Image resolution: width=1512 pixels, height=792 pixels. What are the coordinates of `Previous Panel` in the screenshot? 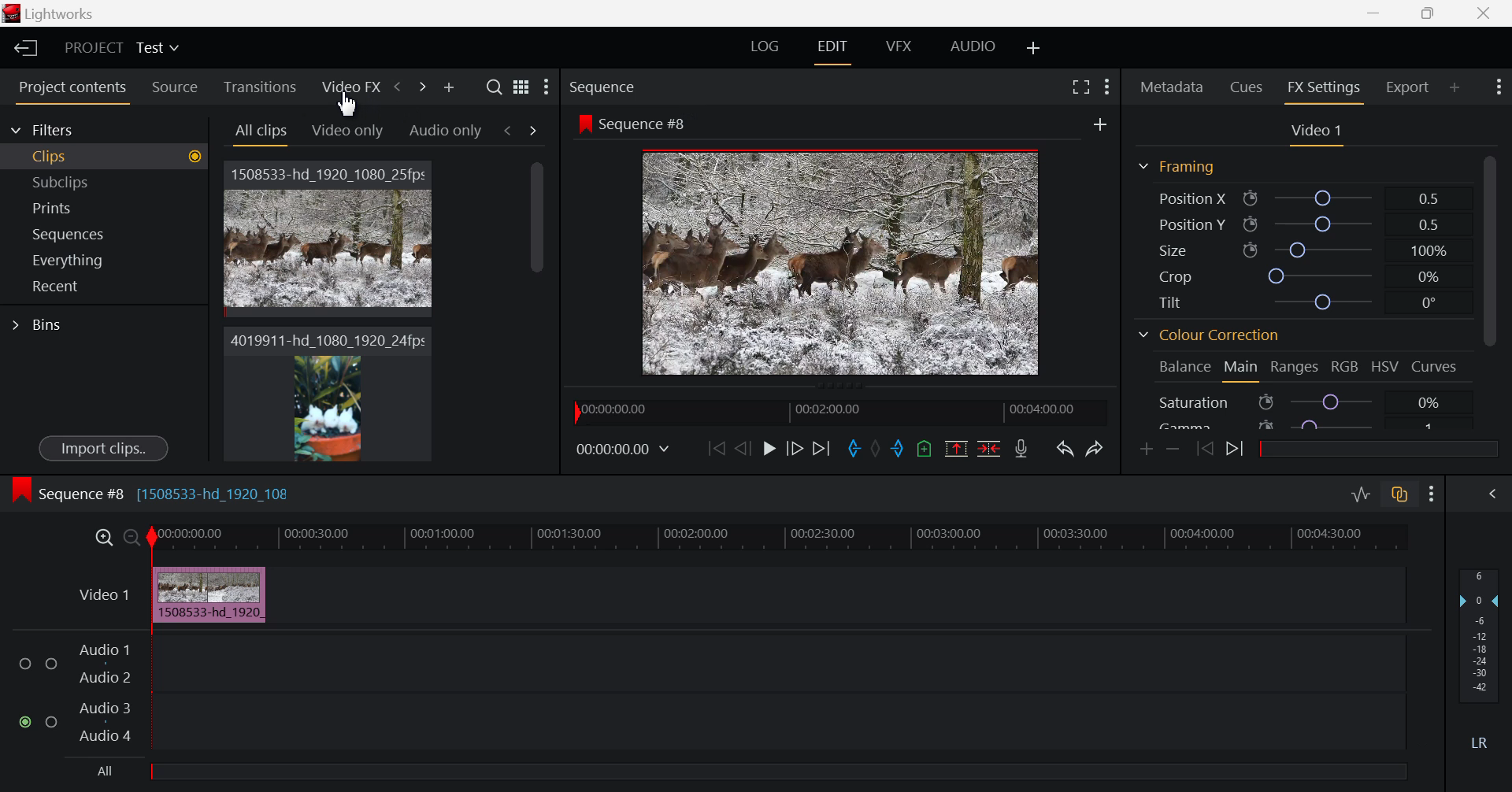 It's located at (398, 87).